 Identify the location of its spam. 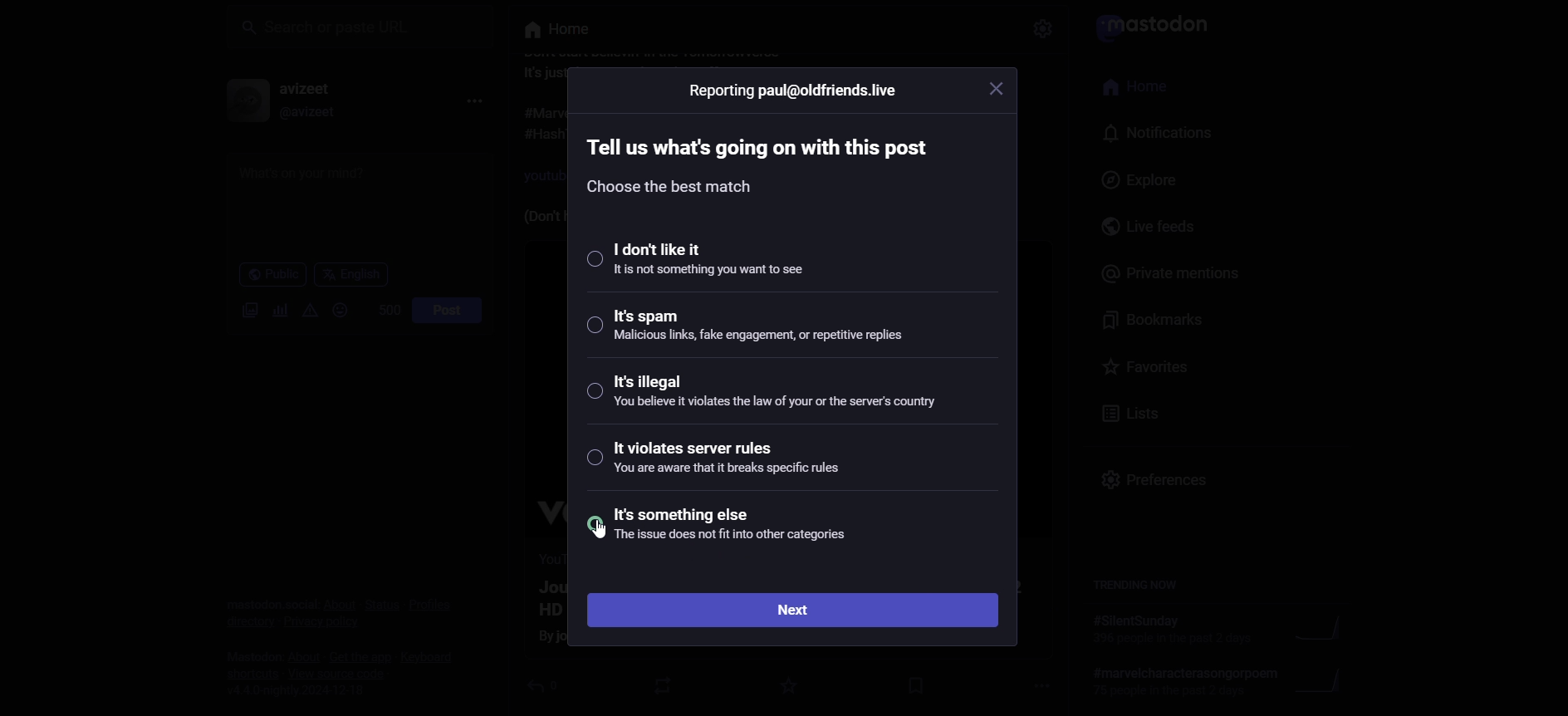
(761, 331).